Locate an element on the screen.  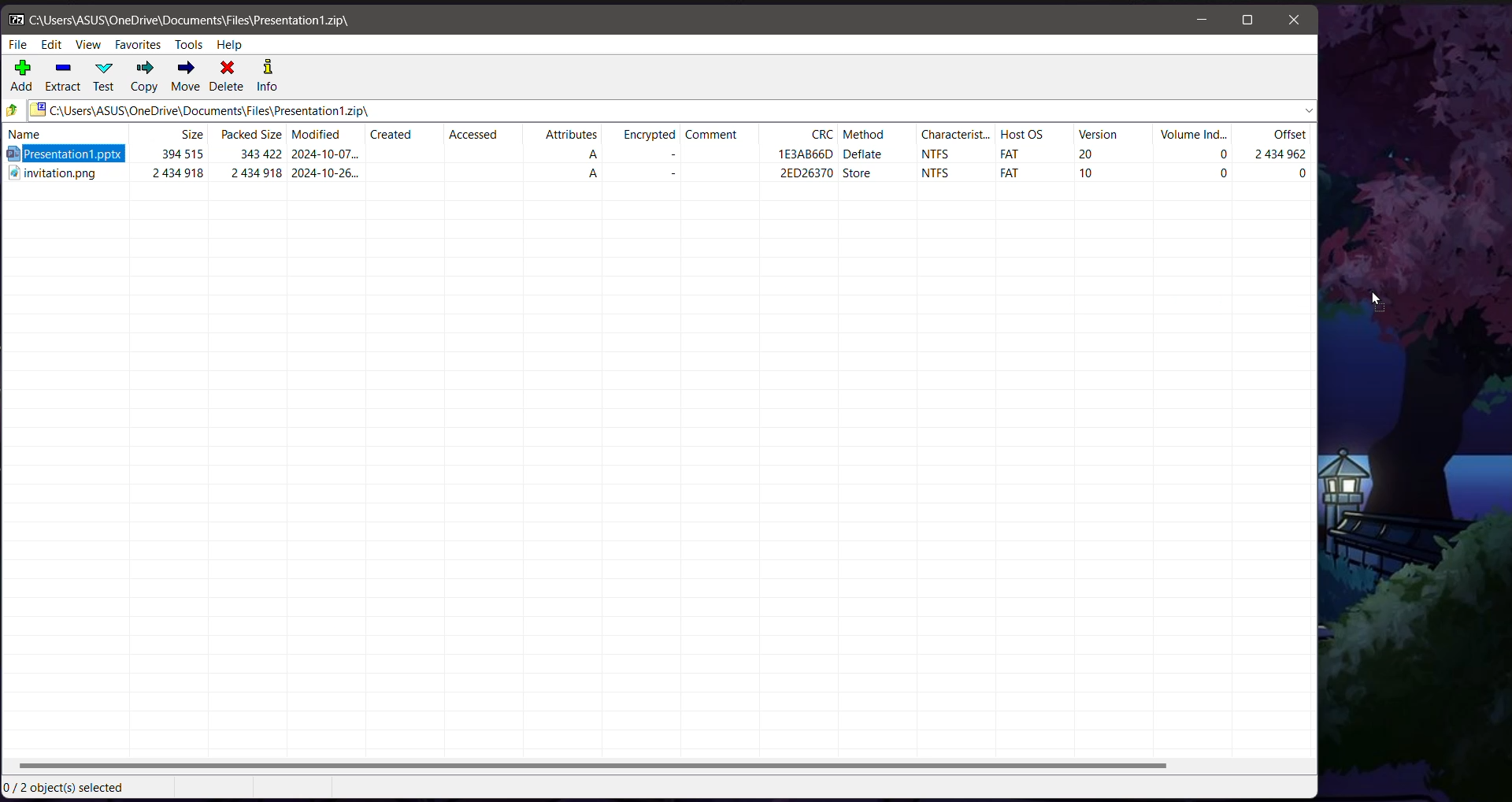
2434918 is located at coordinates (173, 177).